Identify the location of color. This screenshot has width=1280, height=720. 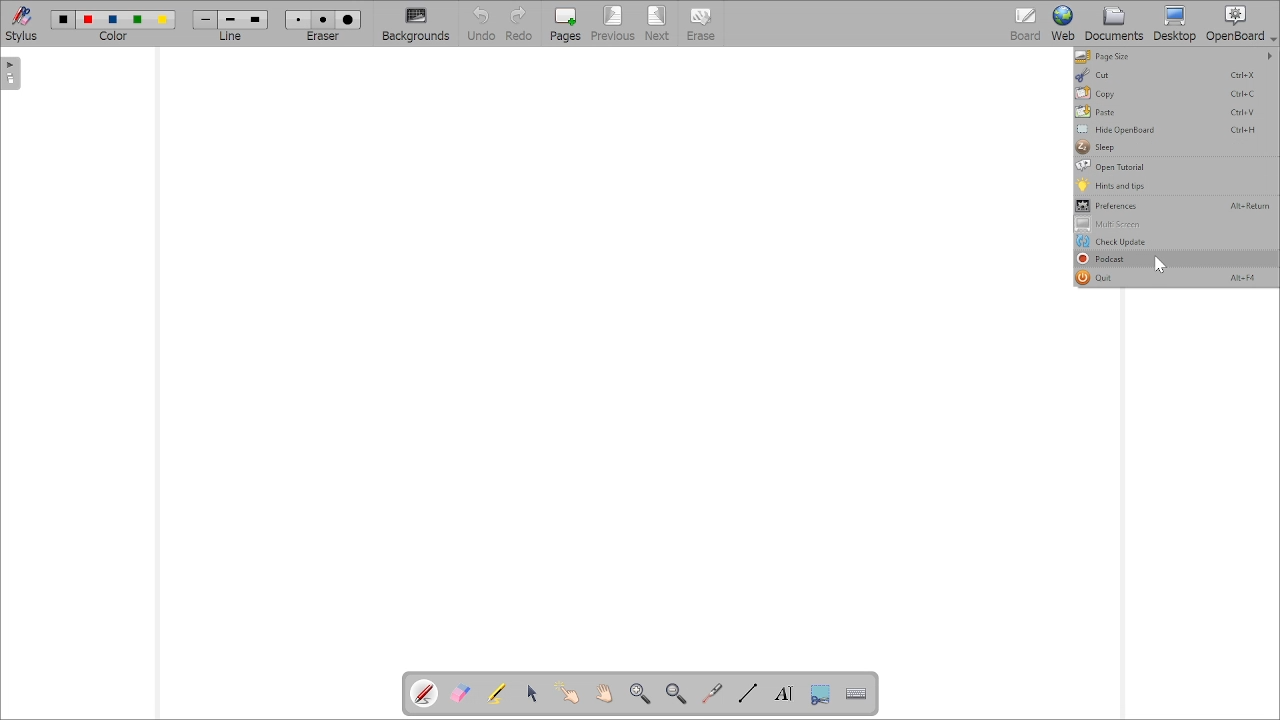
(114, 37).